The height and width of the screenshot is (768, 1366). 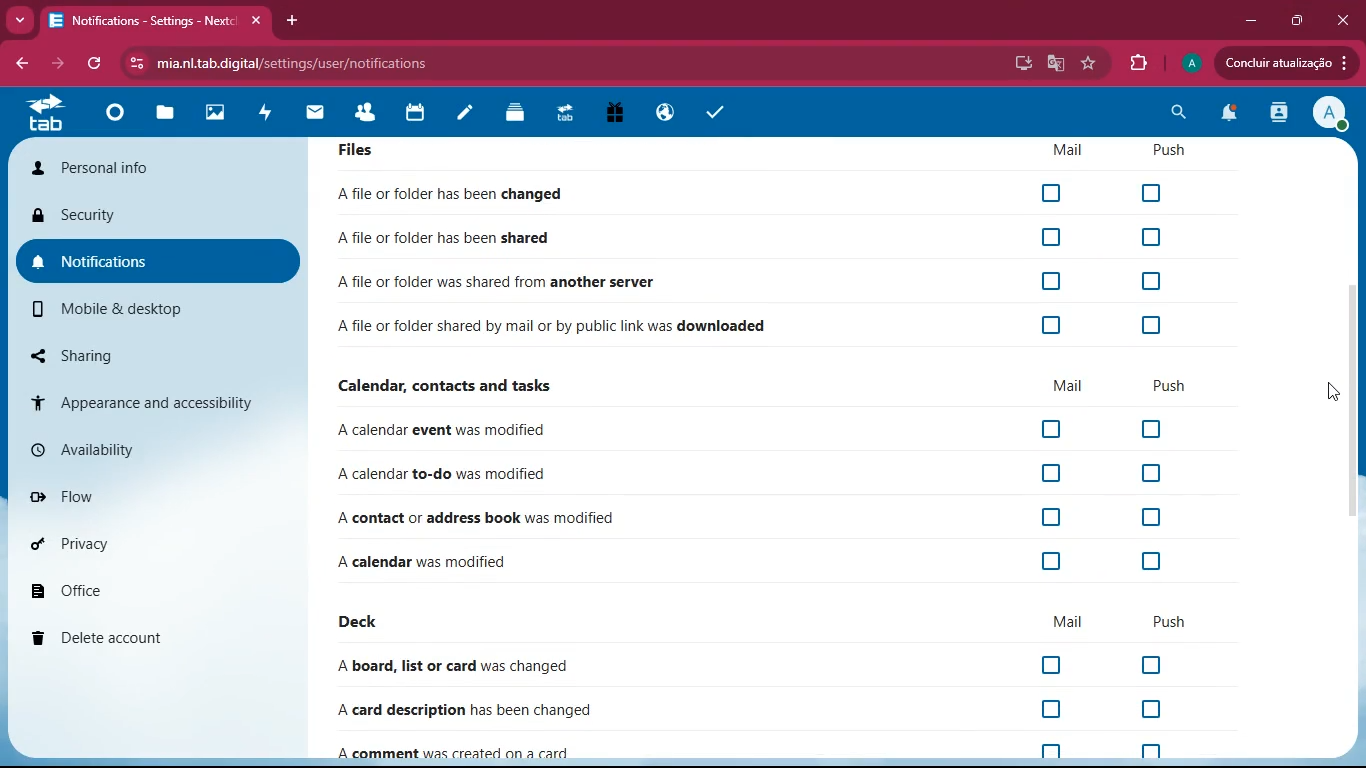 What do you see at coordinates (136, 546) in the screenshot?
I see `privacy` at bounding box center [136, 546].